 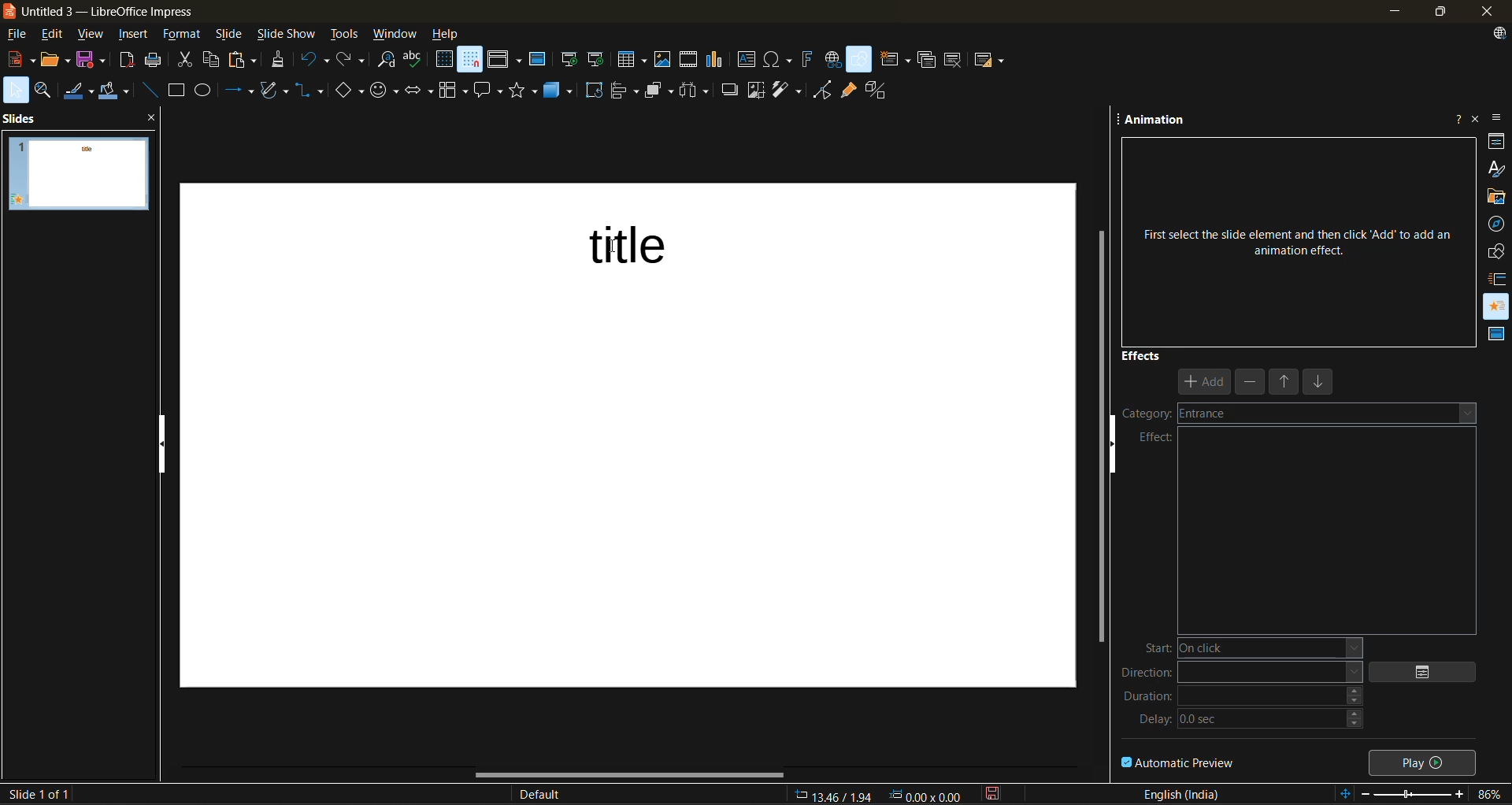 I want to click on start from first slide, so click(x=569, y=61).